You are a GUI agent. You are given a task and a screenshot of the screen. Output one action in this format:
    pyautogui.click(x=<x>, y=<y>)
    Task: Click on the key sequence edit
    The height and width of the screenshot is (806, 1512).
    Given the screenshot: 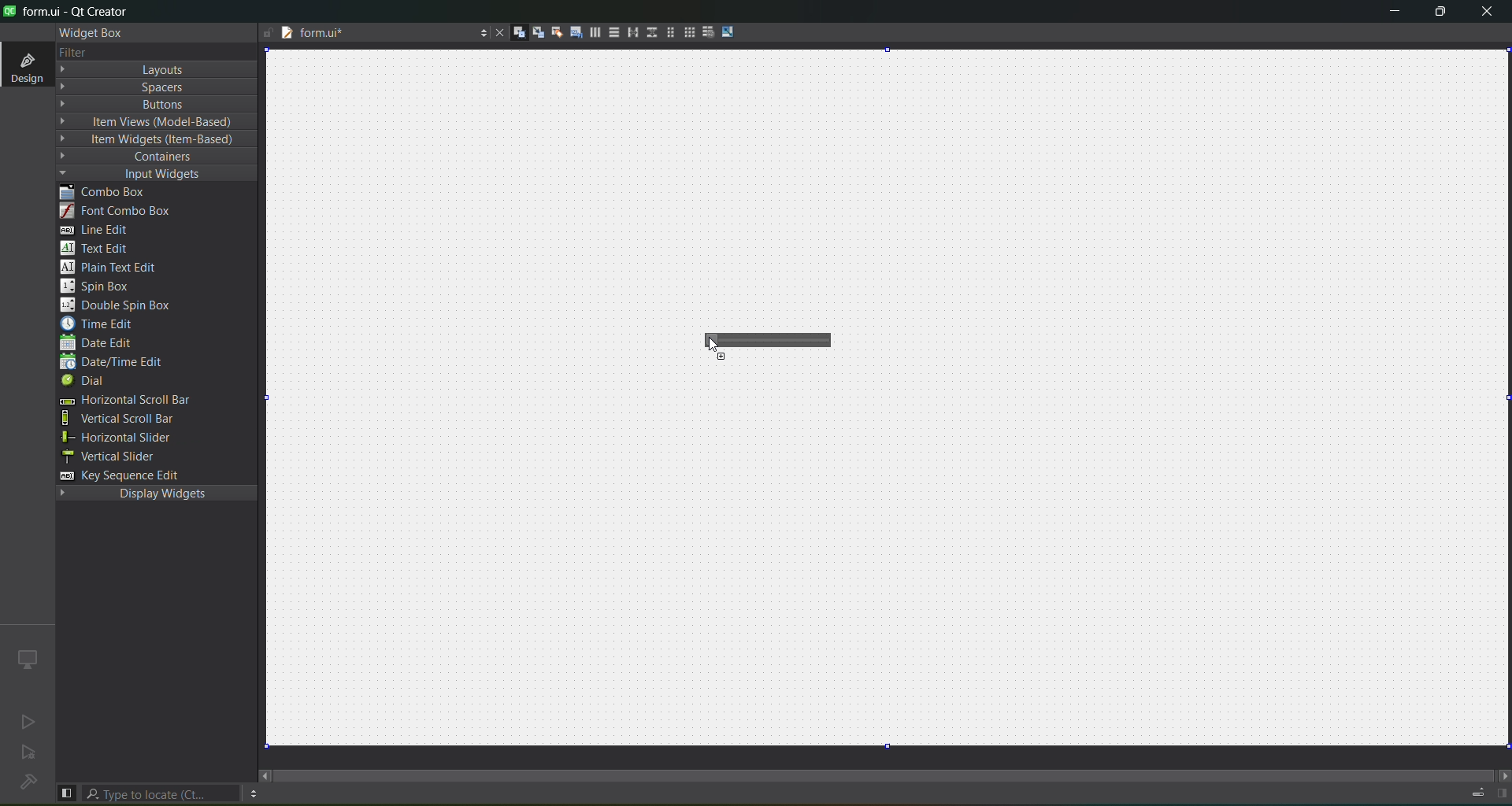 What is the action you would take?
    pyautogui.click(x=120, y=474)
    